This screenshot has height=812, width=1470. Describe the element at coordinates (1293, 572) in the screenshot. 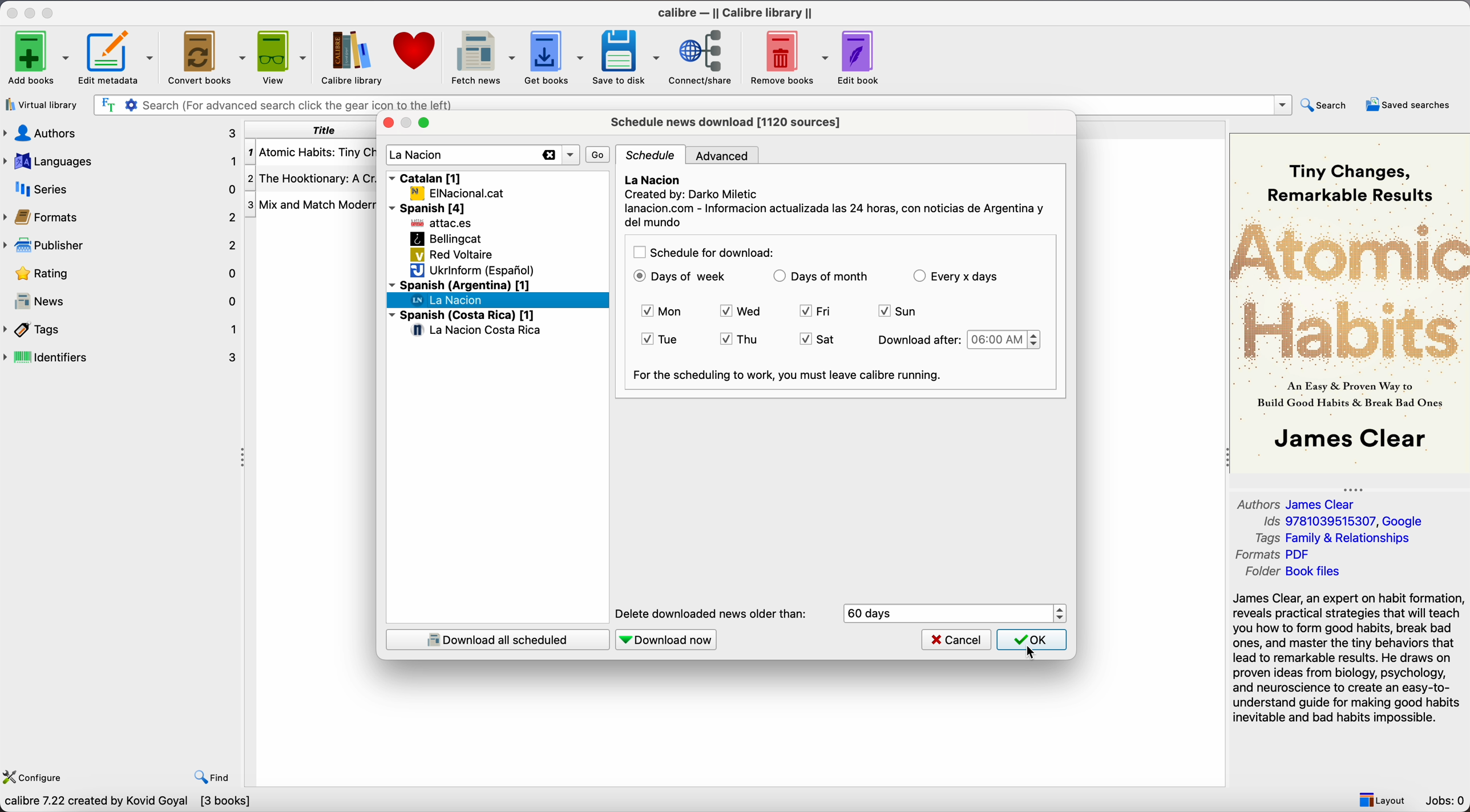

I see `Folder Book files` at that location.